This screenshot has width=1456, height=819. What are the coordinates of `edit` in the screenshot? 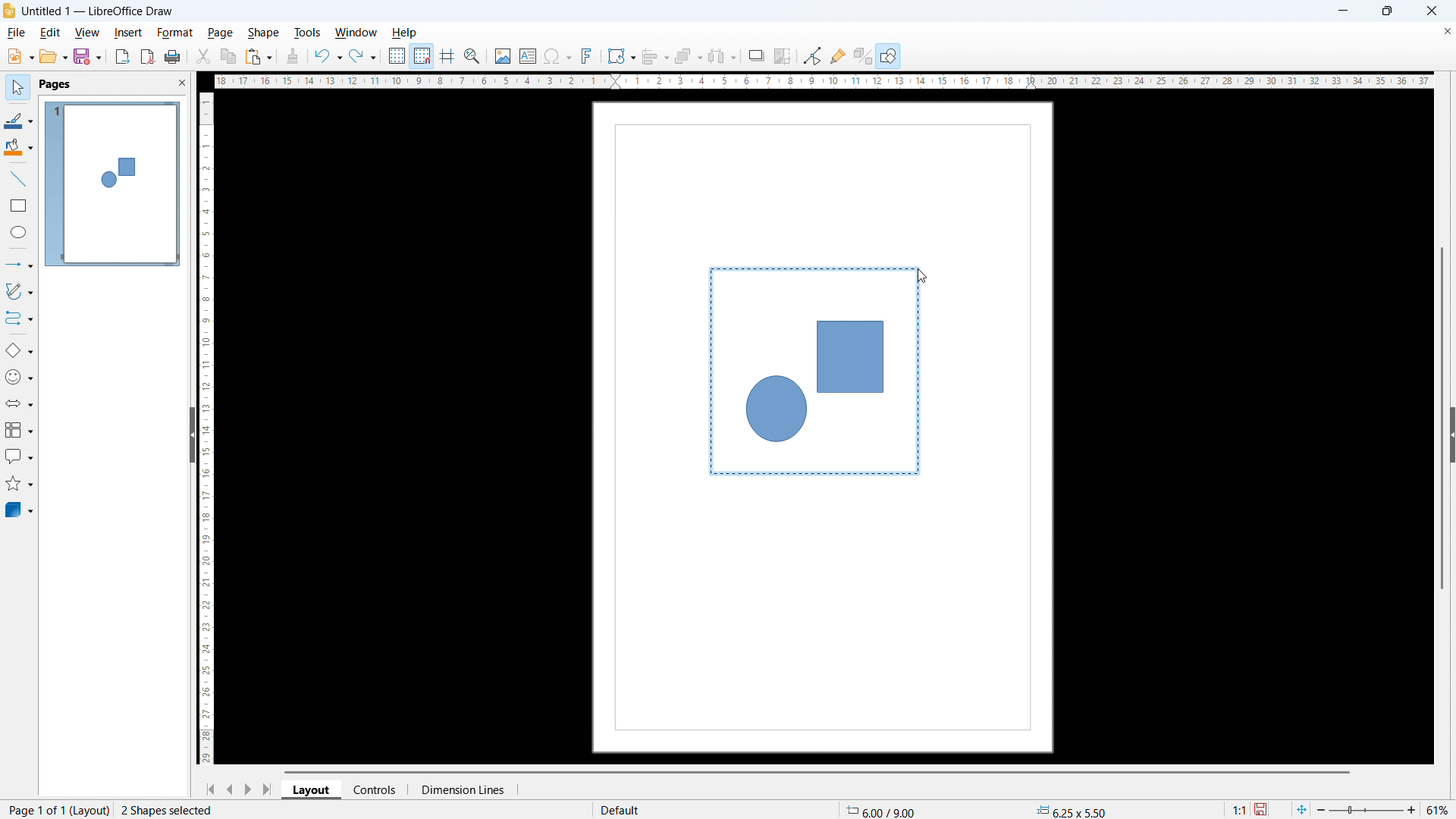 It's located at (52, 33).